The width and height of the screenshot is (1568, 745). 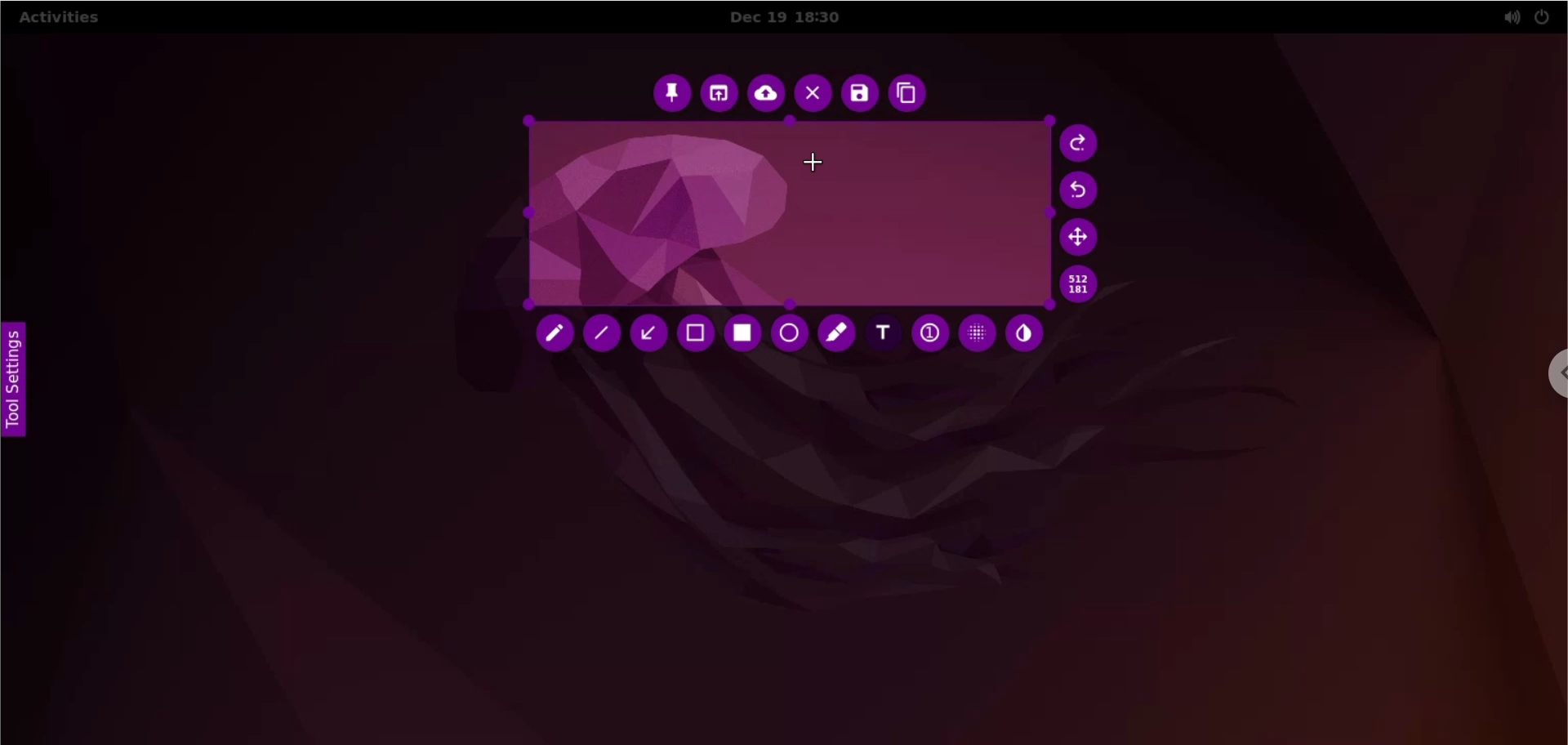 I want to click on close capture, so click(x=813, y=94).